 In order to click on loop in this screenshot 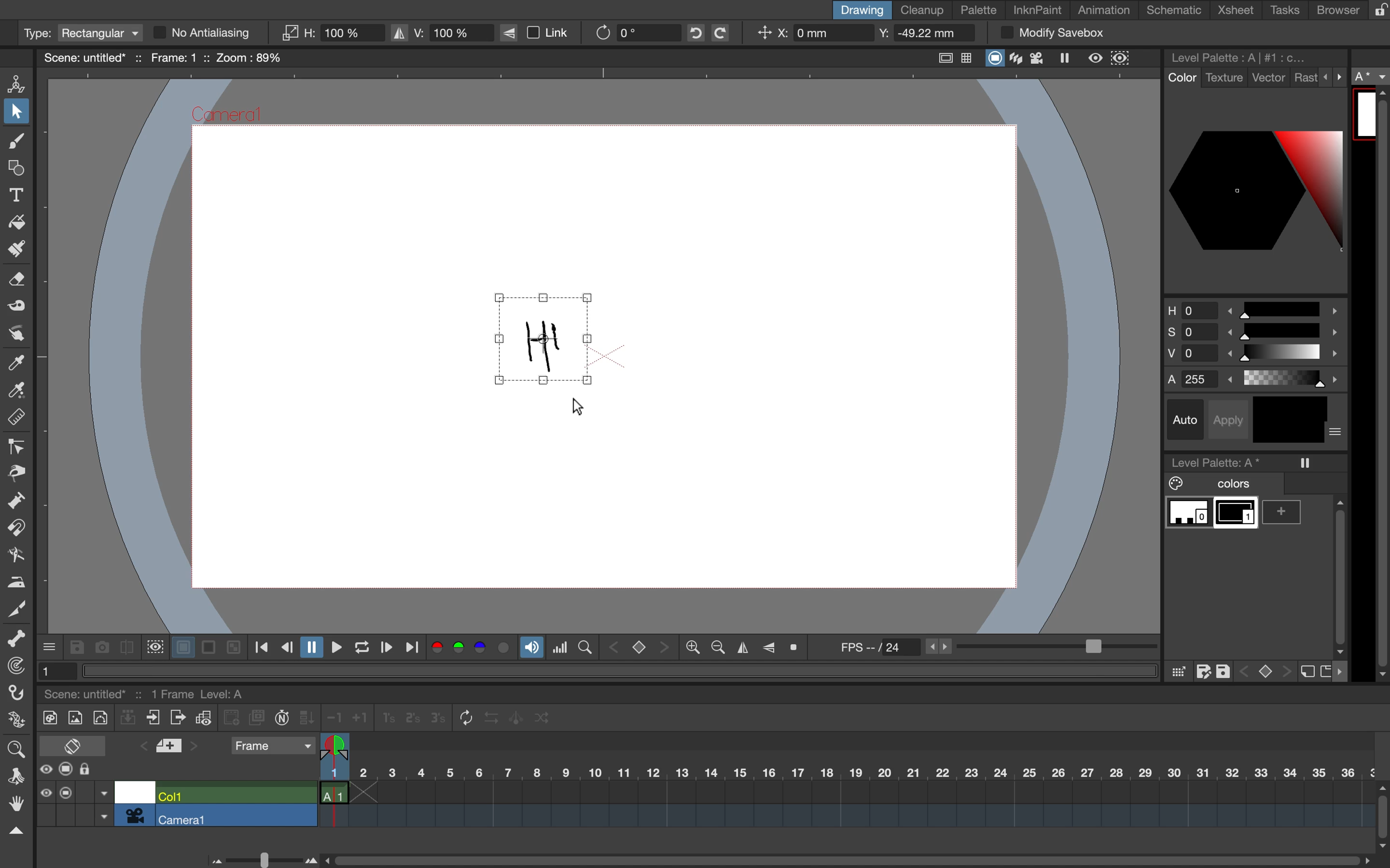, I will do `click(357, 648)`.